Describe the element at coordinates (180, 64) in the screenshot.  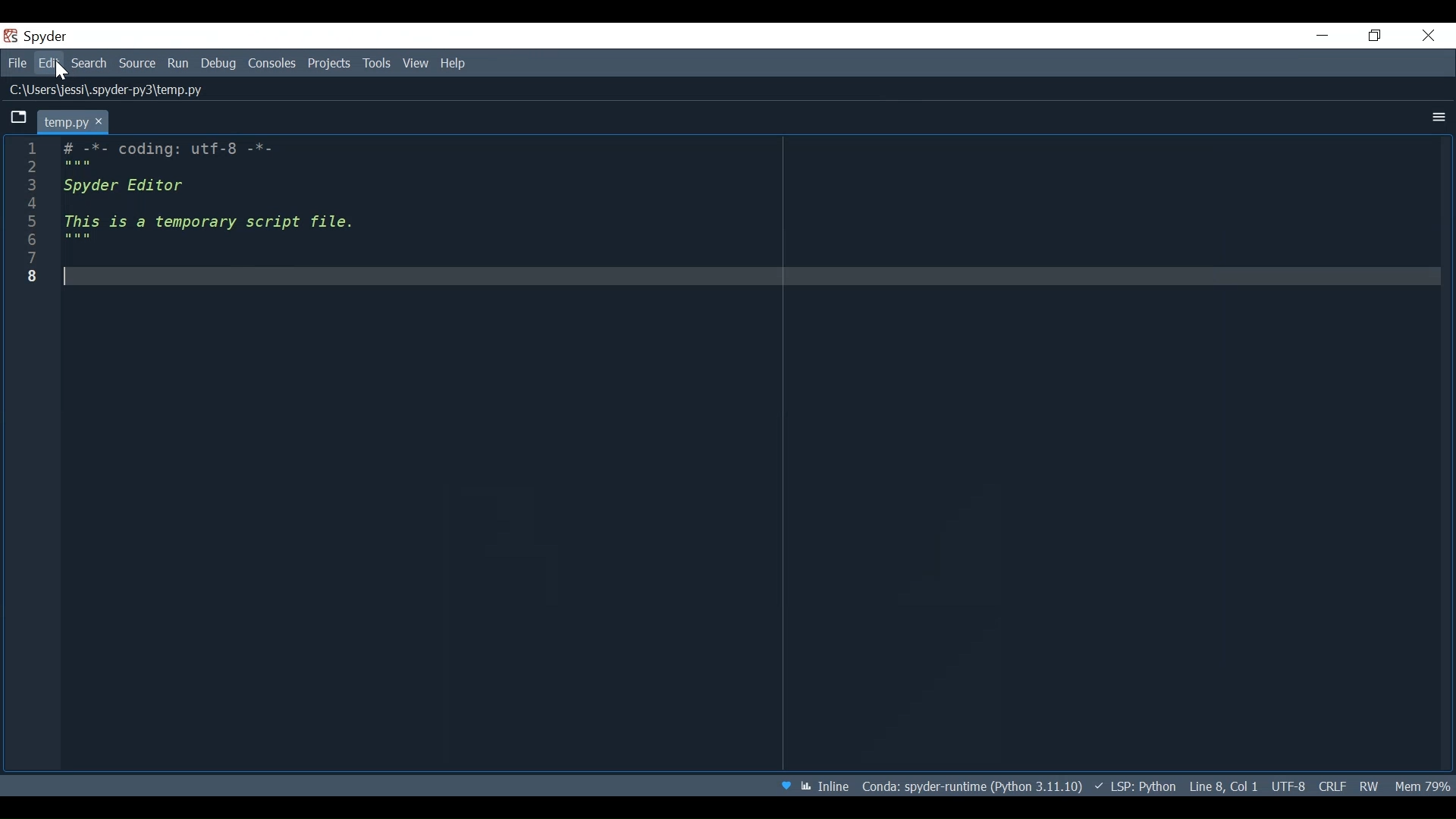
I see `Run` at that location.